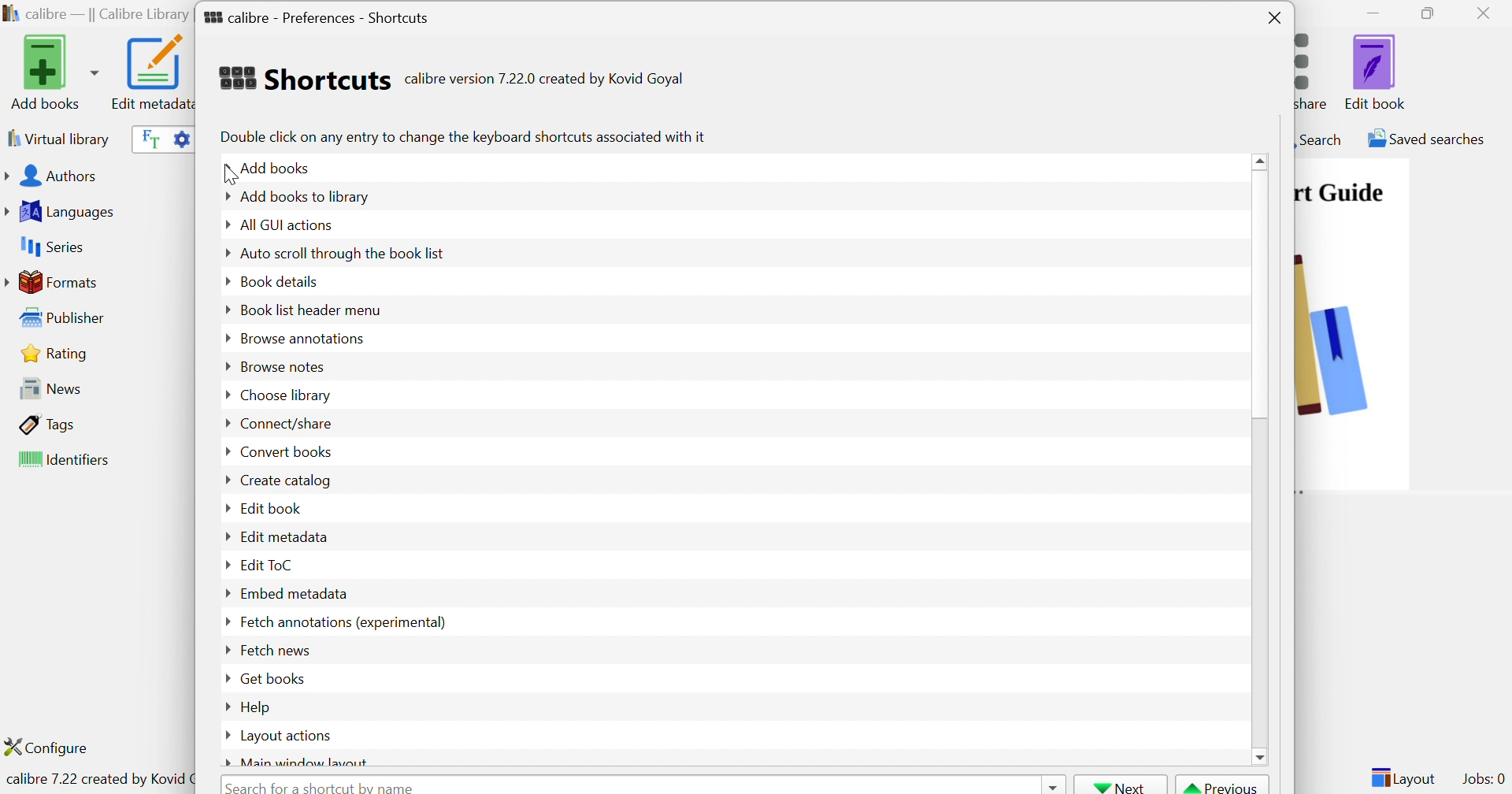  What do you see at coordinates (287, 736) in the screenshot?
I see `Layout actions` at bounding box center [287, 736].